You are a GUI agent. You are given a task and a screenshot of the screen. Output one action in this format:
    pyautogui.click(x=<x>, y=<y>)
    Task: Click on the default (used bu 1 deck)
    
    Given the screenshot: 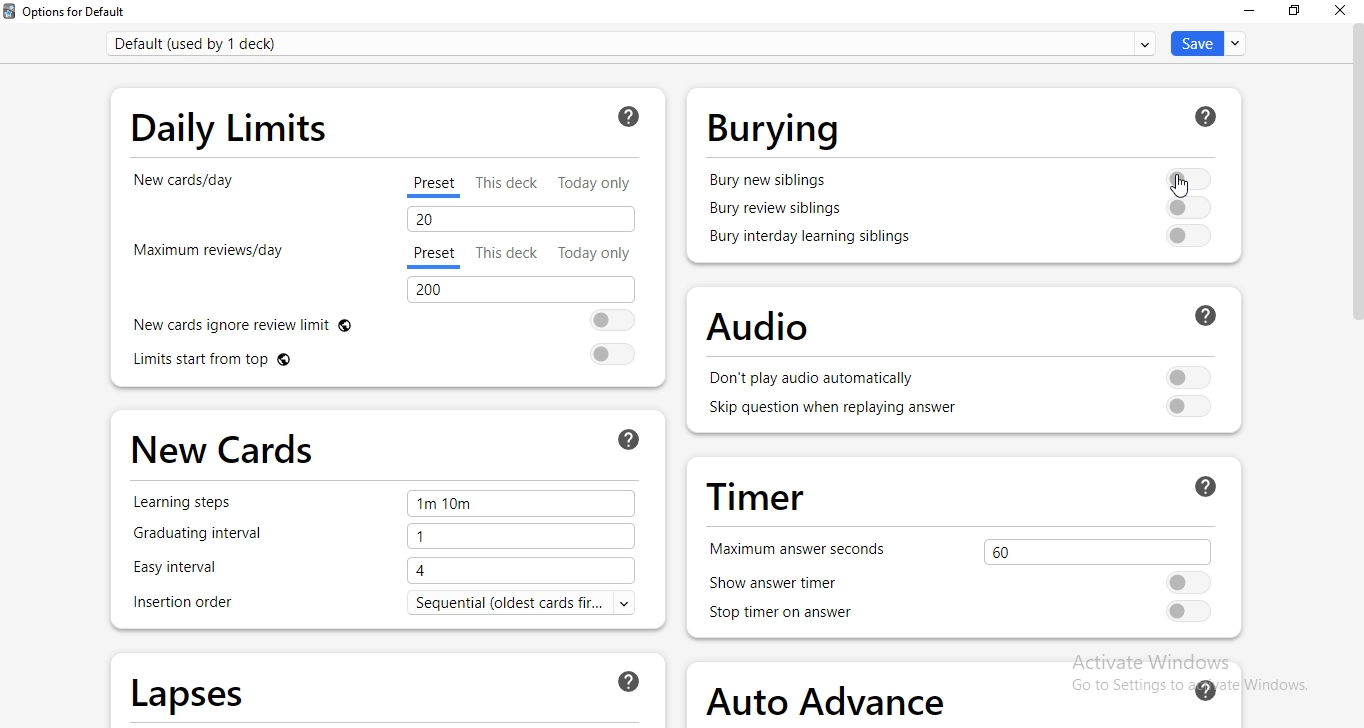 What is the action you would take?
    pyautogui.click(x=635, y=42)
    